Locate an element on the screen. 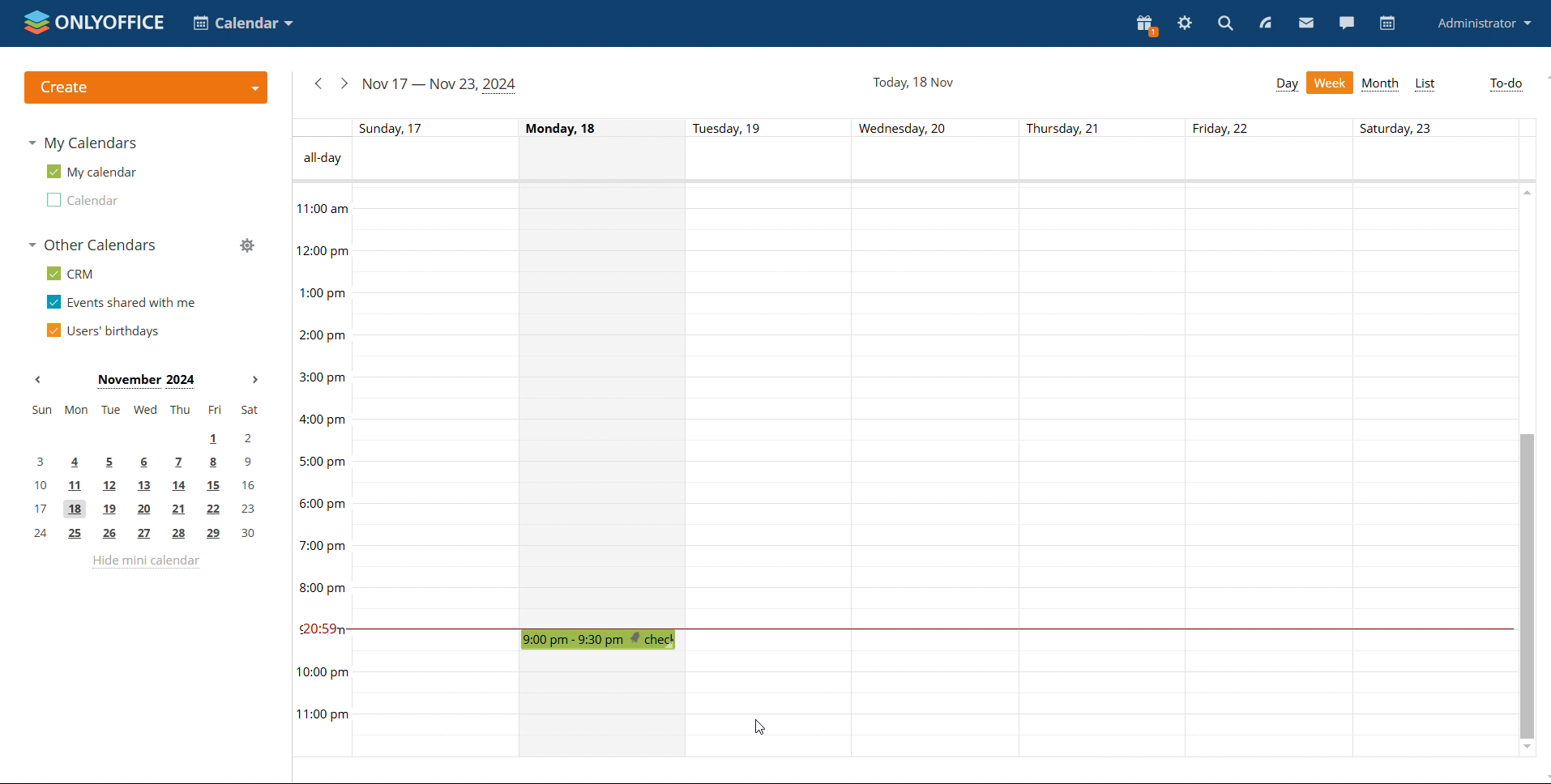 This screenshot has width=1551, height=784. scroll down is located at coordinates (1526, 748).